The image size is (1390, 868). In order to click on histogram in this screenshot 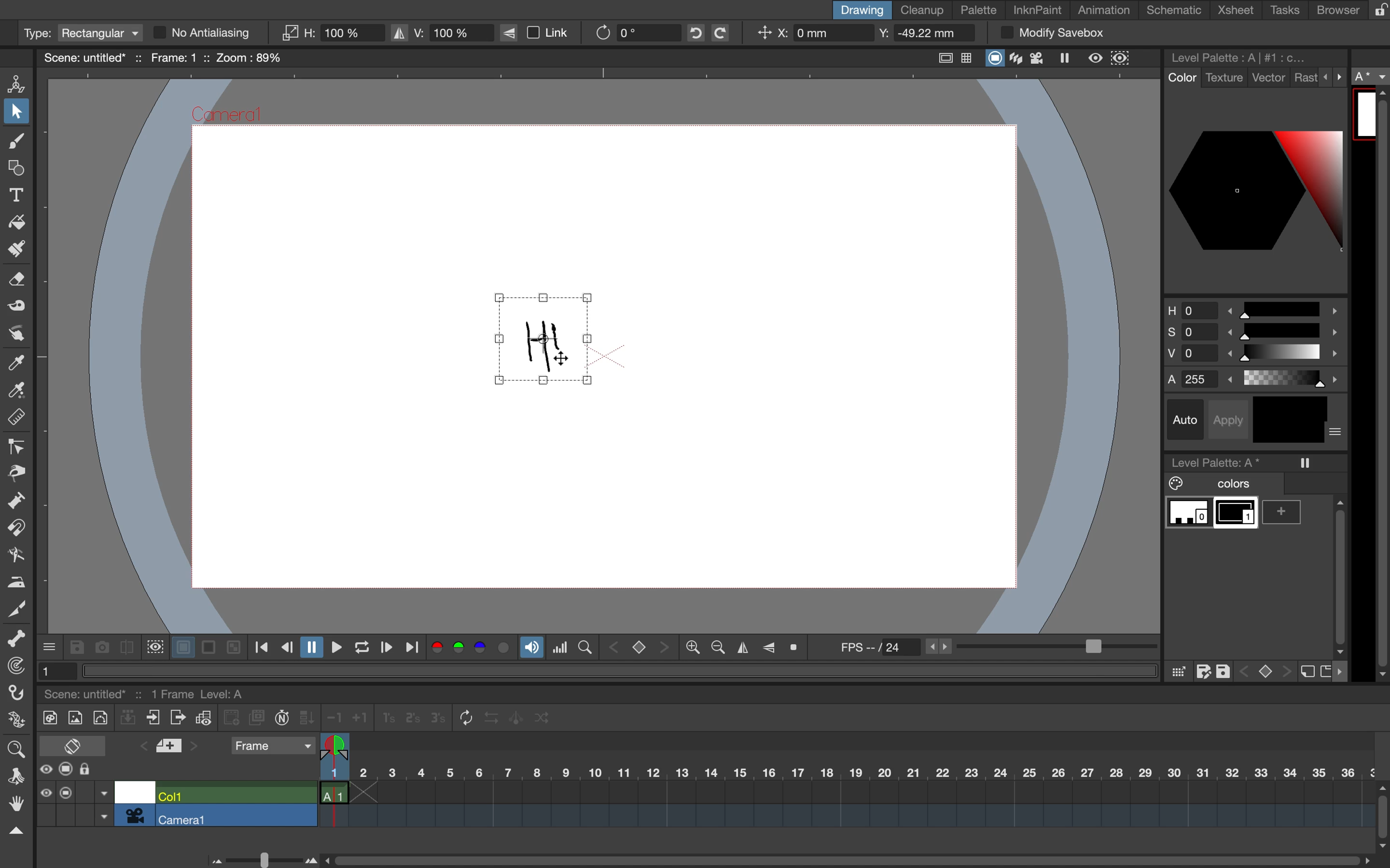, I will do `click(560, 648)`.